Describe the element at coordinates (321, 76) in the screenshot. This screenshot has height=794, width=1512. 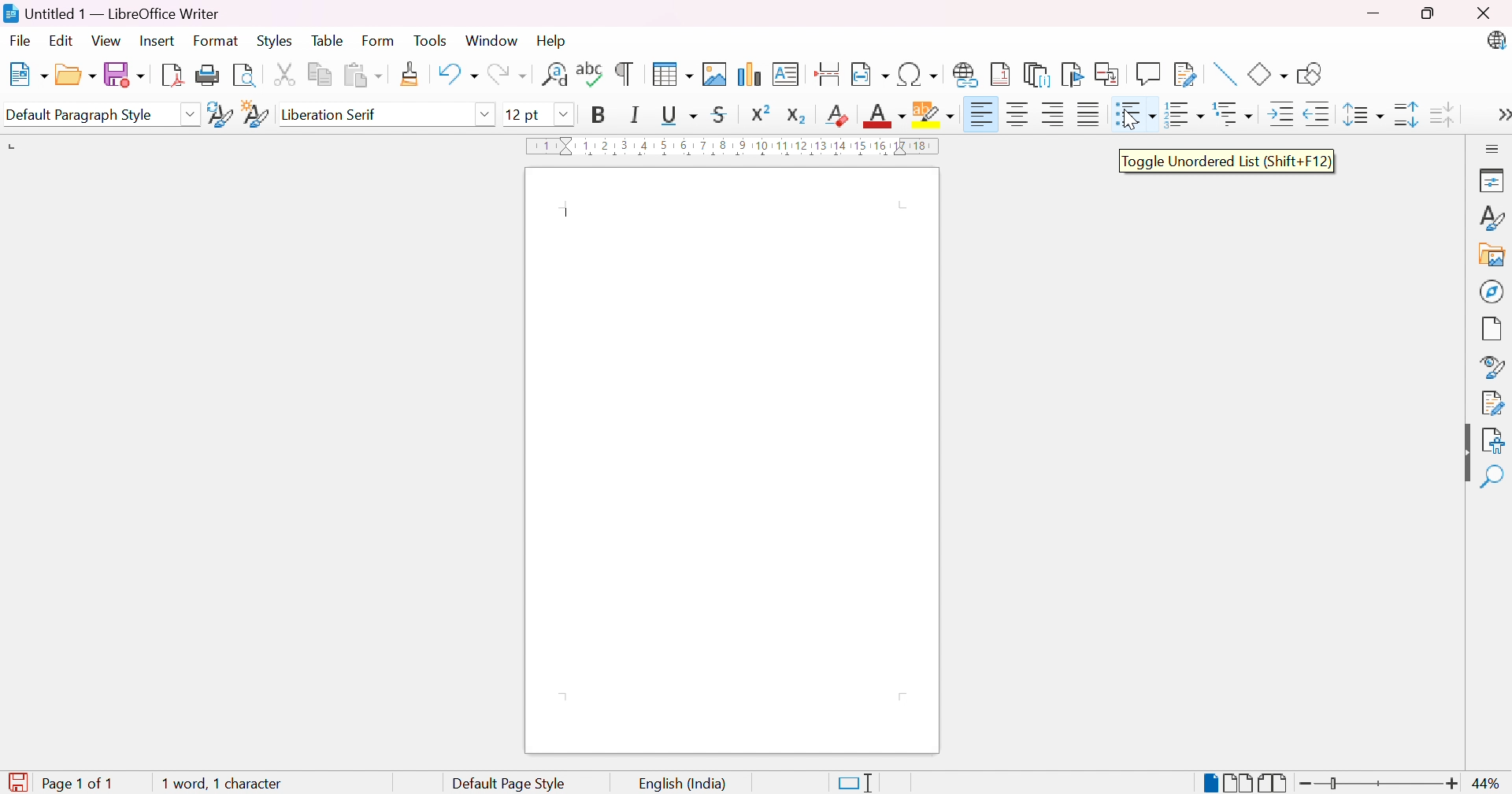
I see `Copy` at that location.